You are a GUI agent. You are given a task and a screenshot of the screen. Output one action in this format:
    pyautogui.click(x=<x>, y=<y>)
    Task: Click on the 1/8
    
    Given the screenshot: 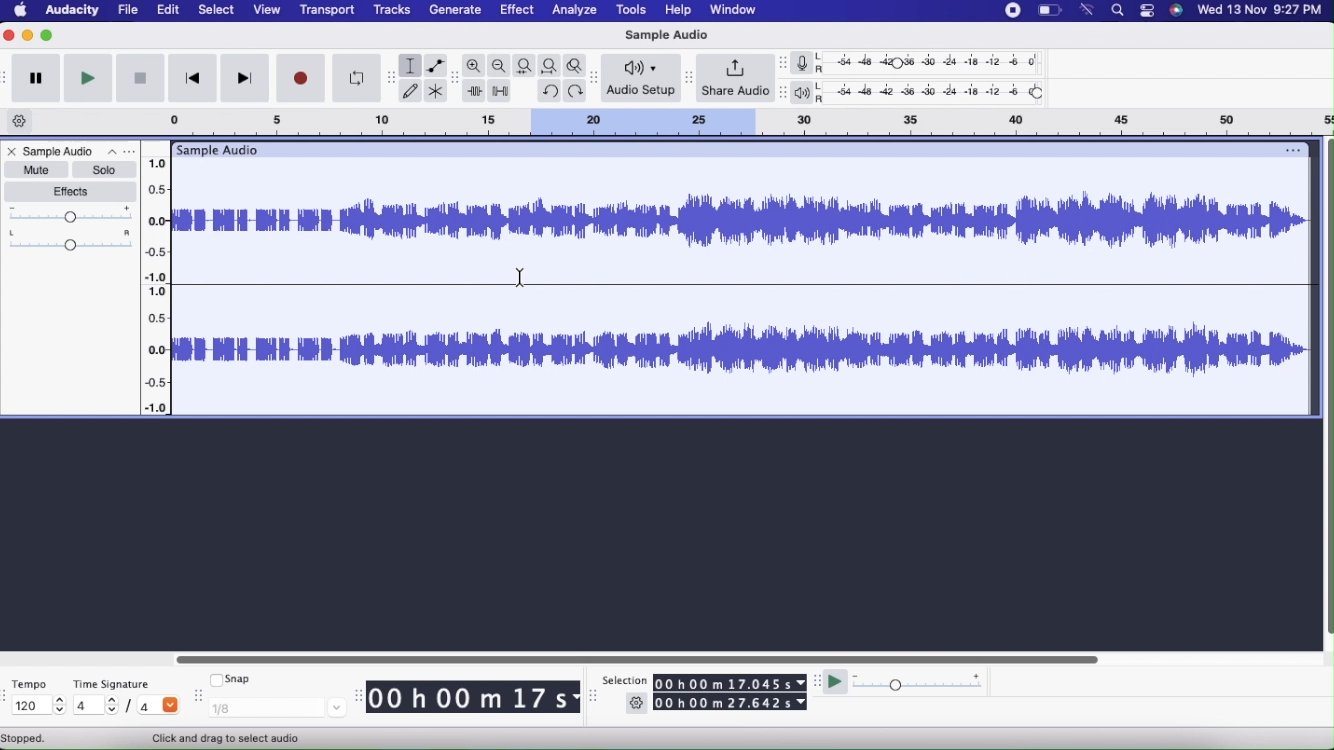 What is the action you would take?
    pyautogui.click(x=278, y=707)
    